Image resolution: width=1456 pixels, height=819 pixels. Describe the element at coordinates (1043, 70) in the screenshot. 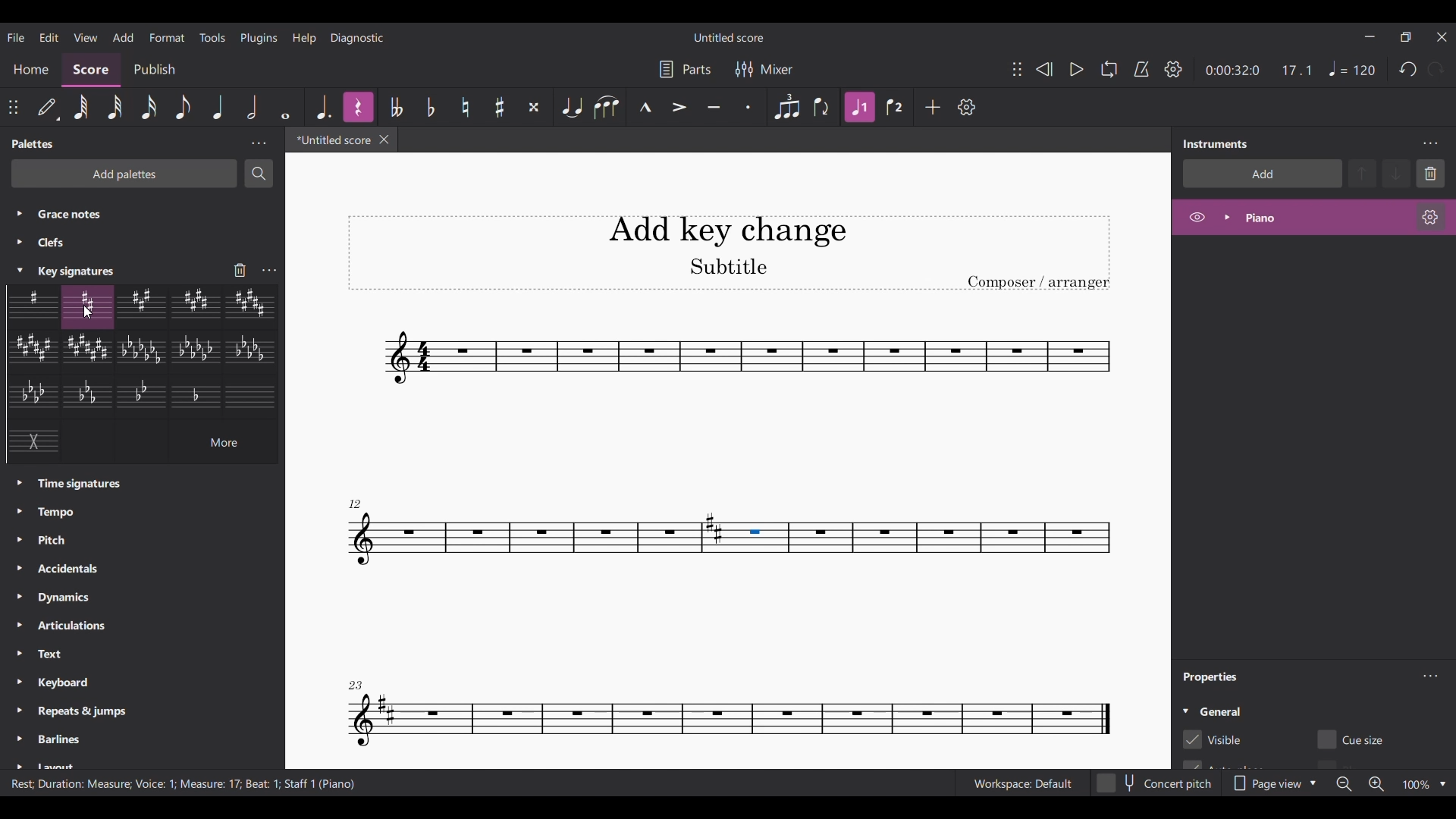

I see `Rewind` at that location.